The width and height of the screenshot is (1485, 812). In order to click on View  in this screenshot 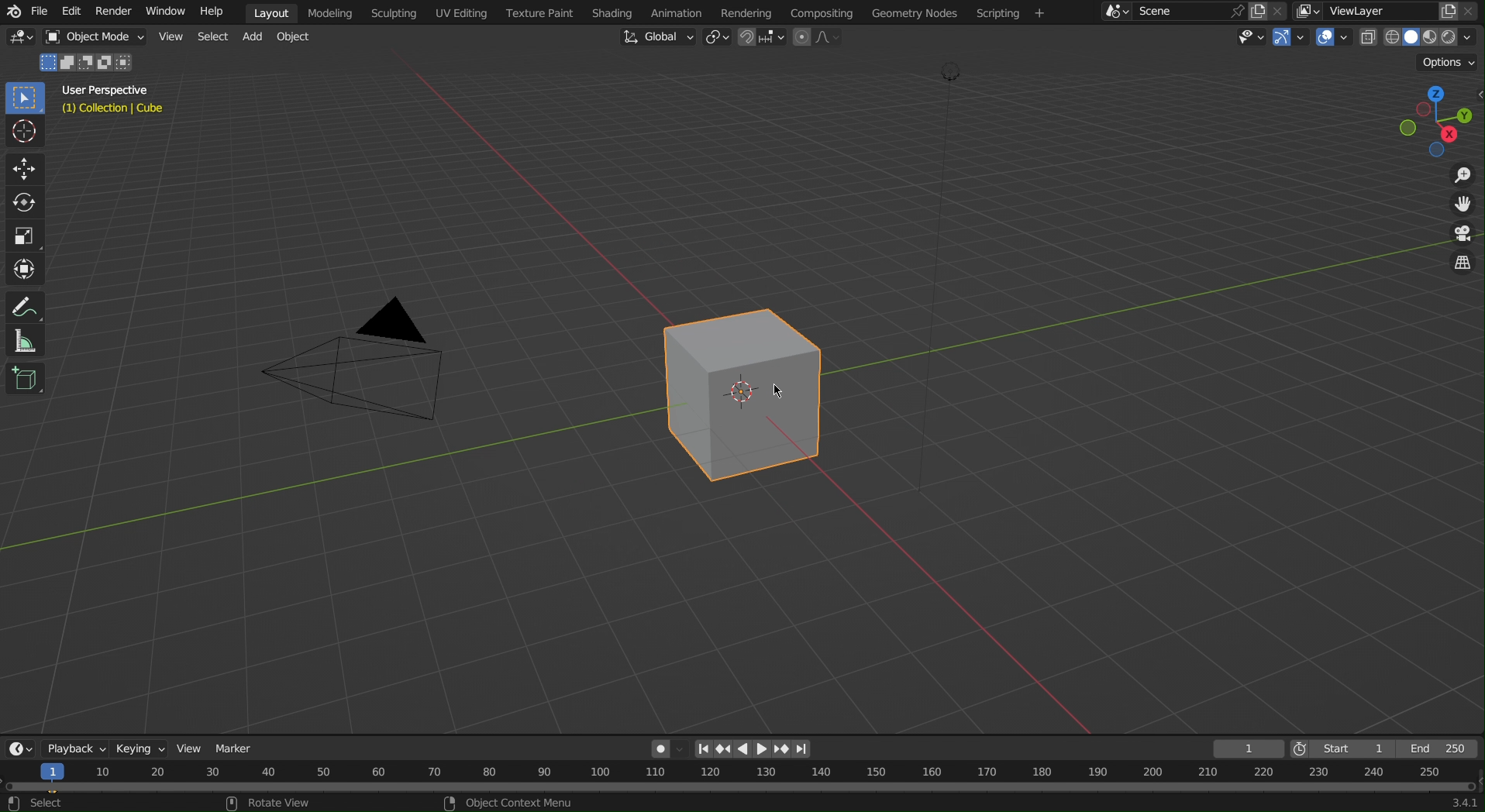, I will do `click(169, 36)`.